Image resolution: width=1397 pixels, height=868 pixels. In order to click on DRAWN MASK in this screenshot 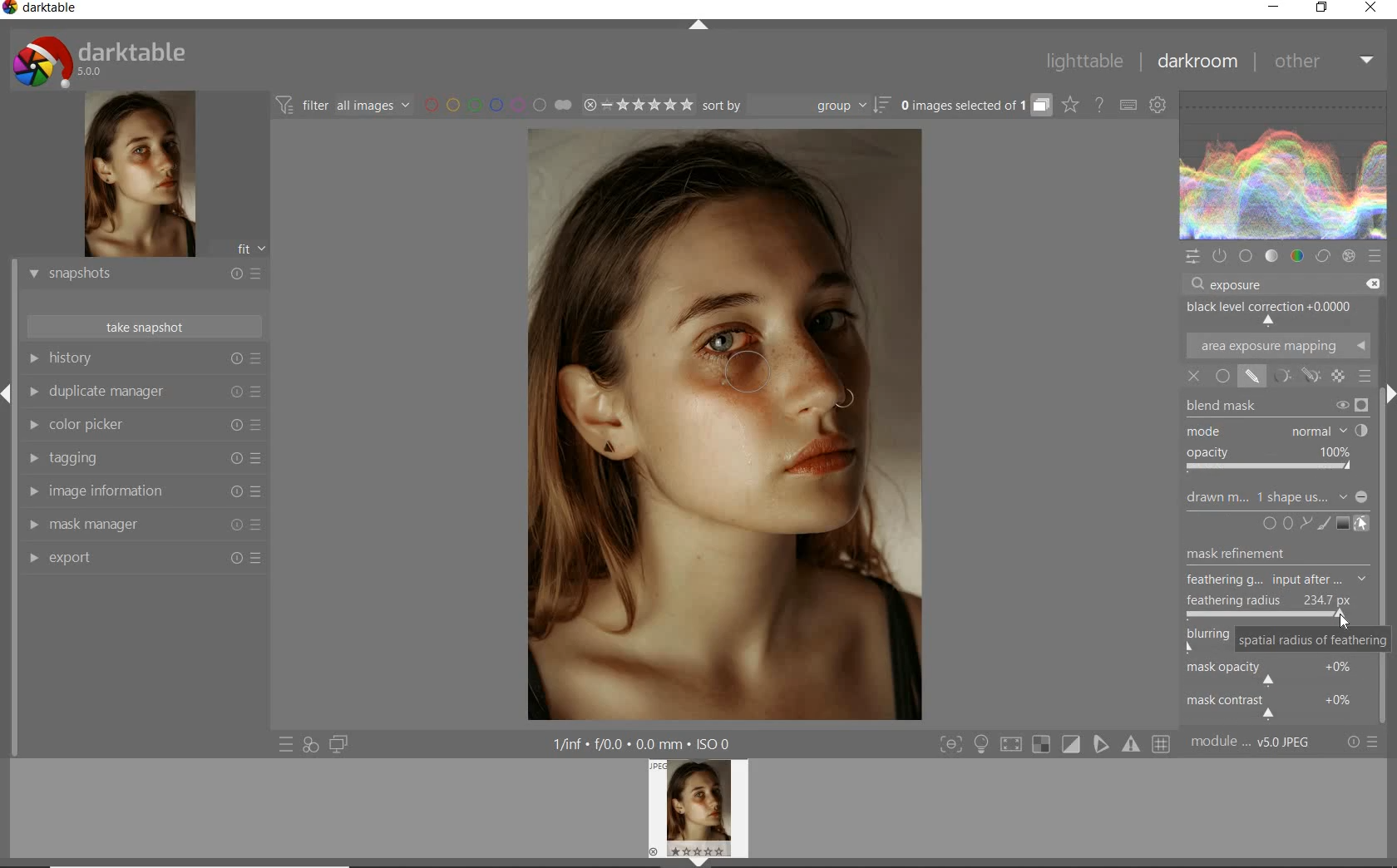, I will do `click(1277, 496)`.